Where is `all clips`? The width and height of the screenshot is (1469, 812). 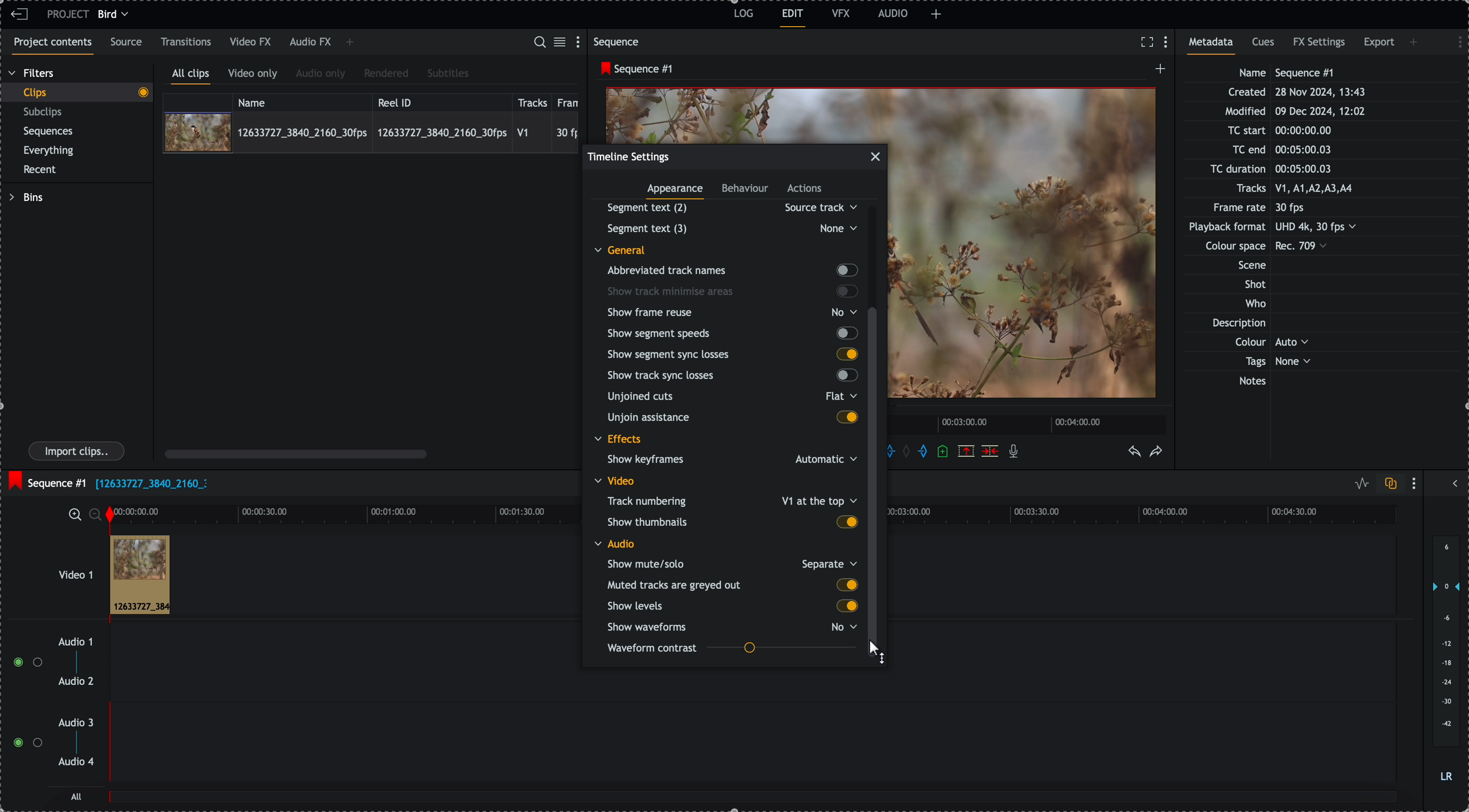
all clips is located at coordinates (191, 76).